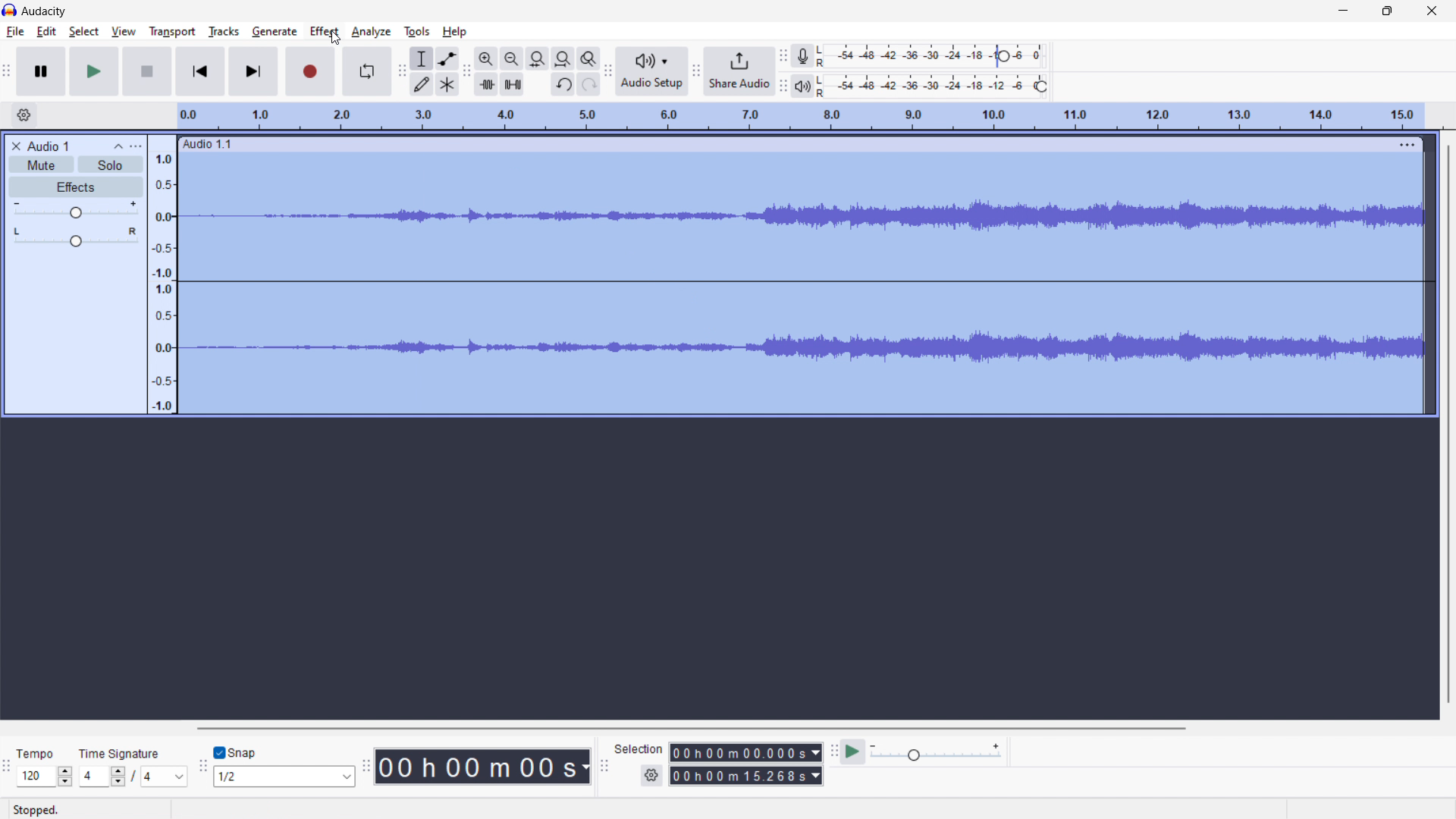 This screenshot has width=1456, height=819. Describe the element at coordinates (111, 165) in the screenshot. I see `solo` at that location.